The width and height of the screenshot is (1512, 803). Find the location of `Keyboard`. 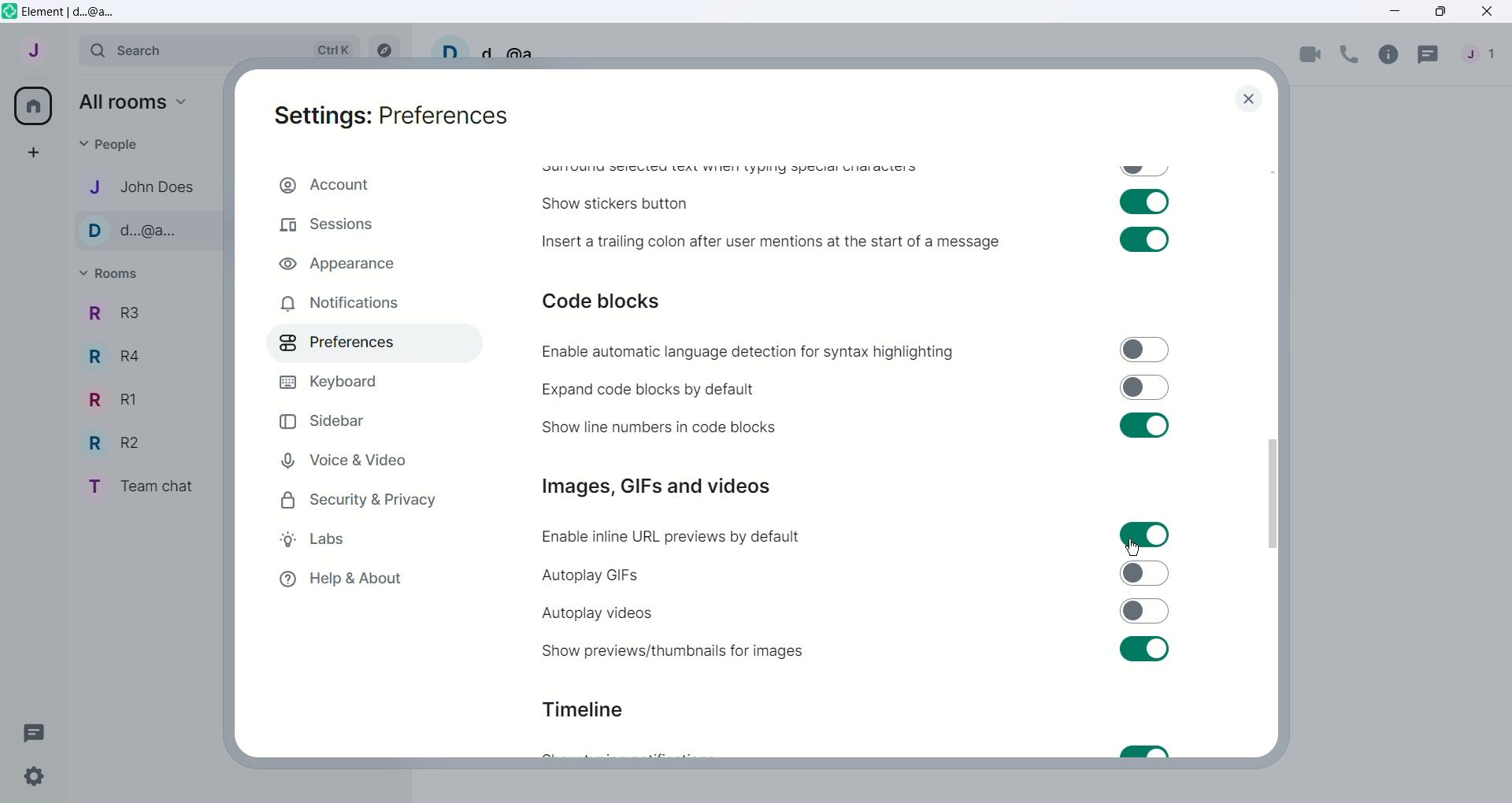

Keyboard is located at coordinates (351, 382).